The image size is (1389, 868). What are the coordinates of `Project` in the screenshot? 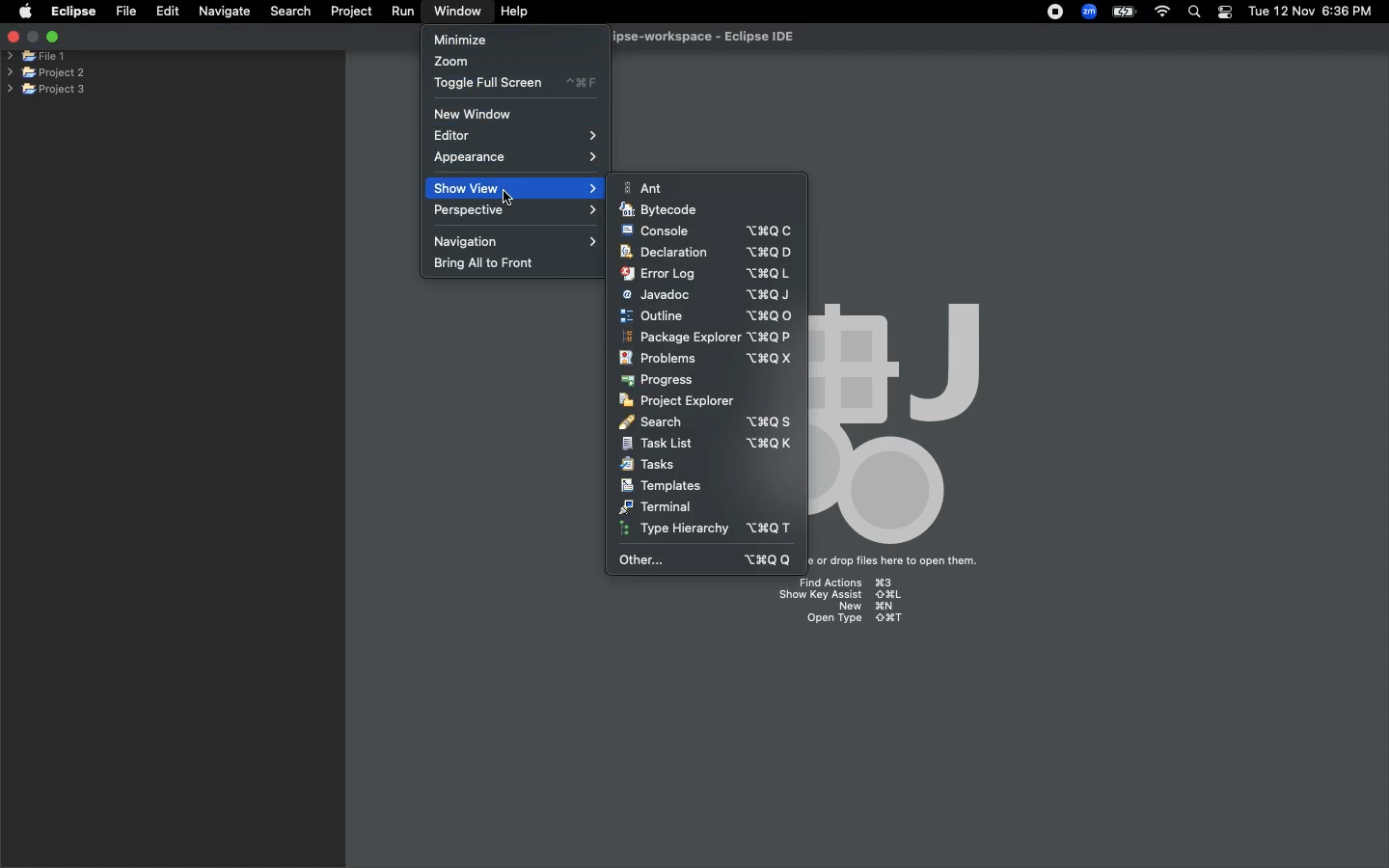 It's located at (351, 12).